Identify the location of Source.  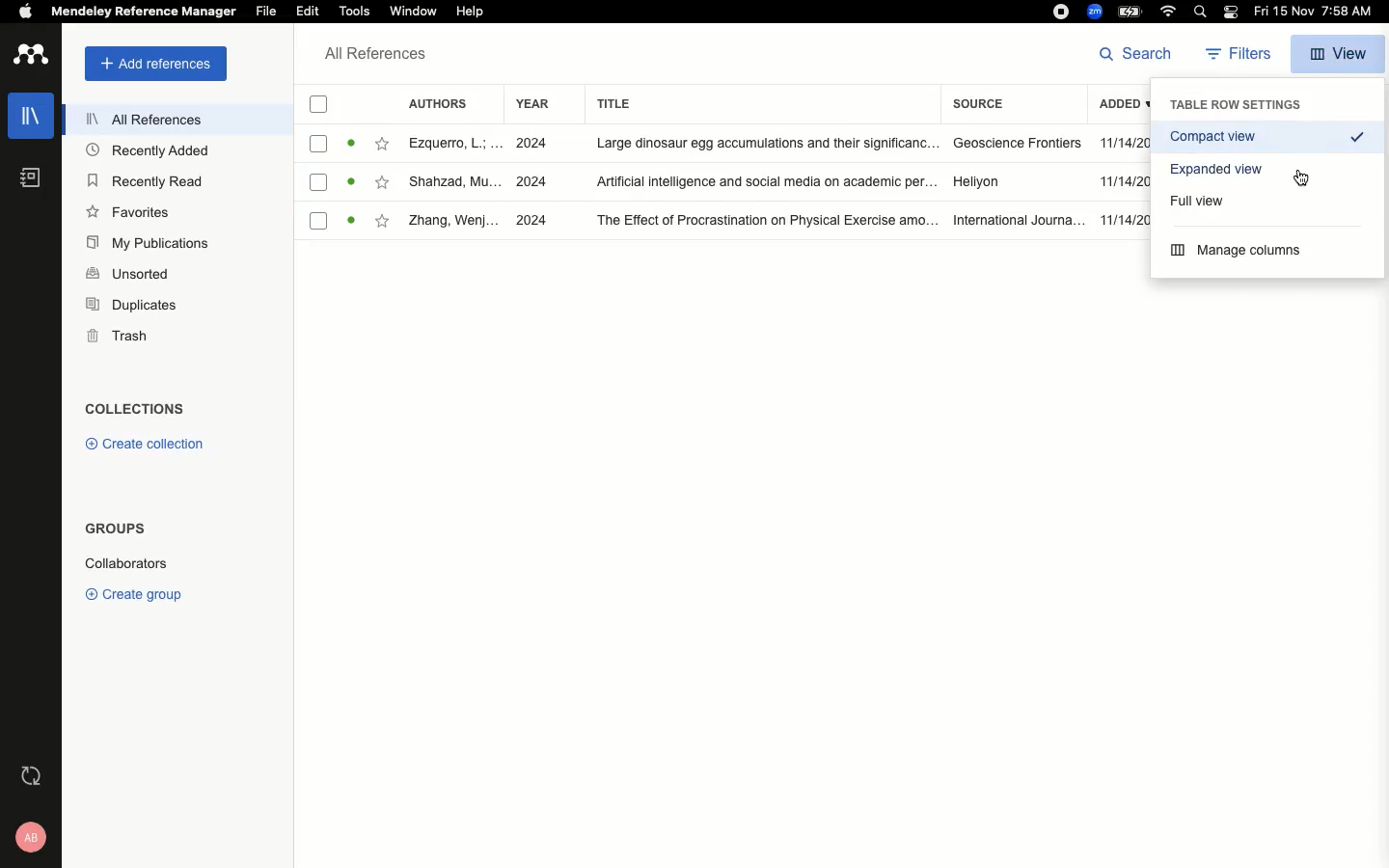
(989, 106).